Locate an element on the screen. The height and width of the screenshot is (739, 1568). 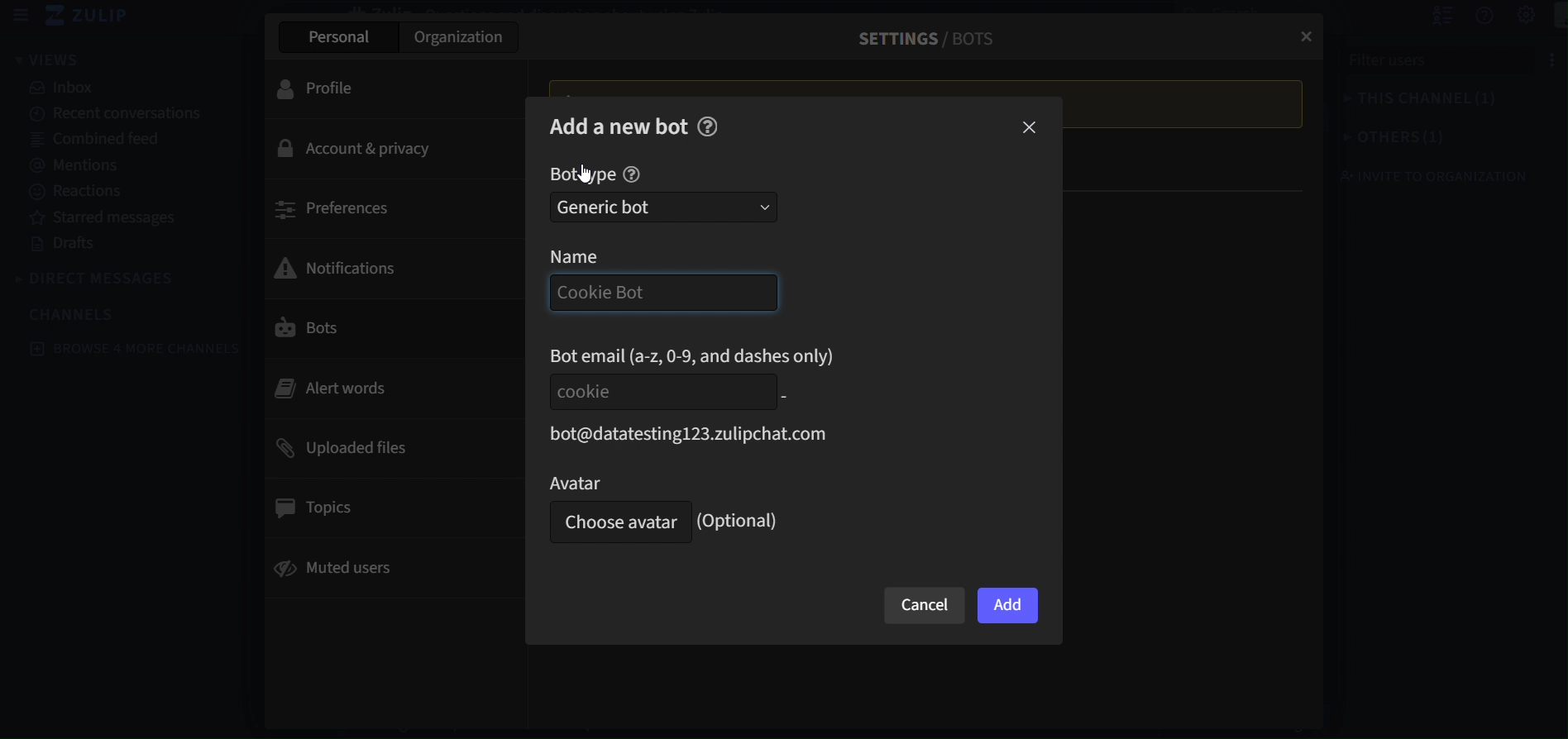
notifications is located at coordinates (378, 266).